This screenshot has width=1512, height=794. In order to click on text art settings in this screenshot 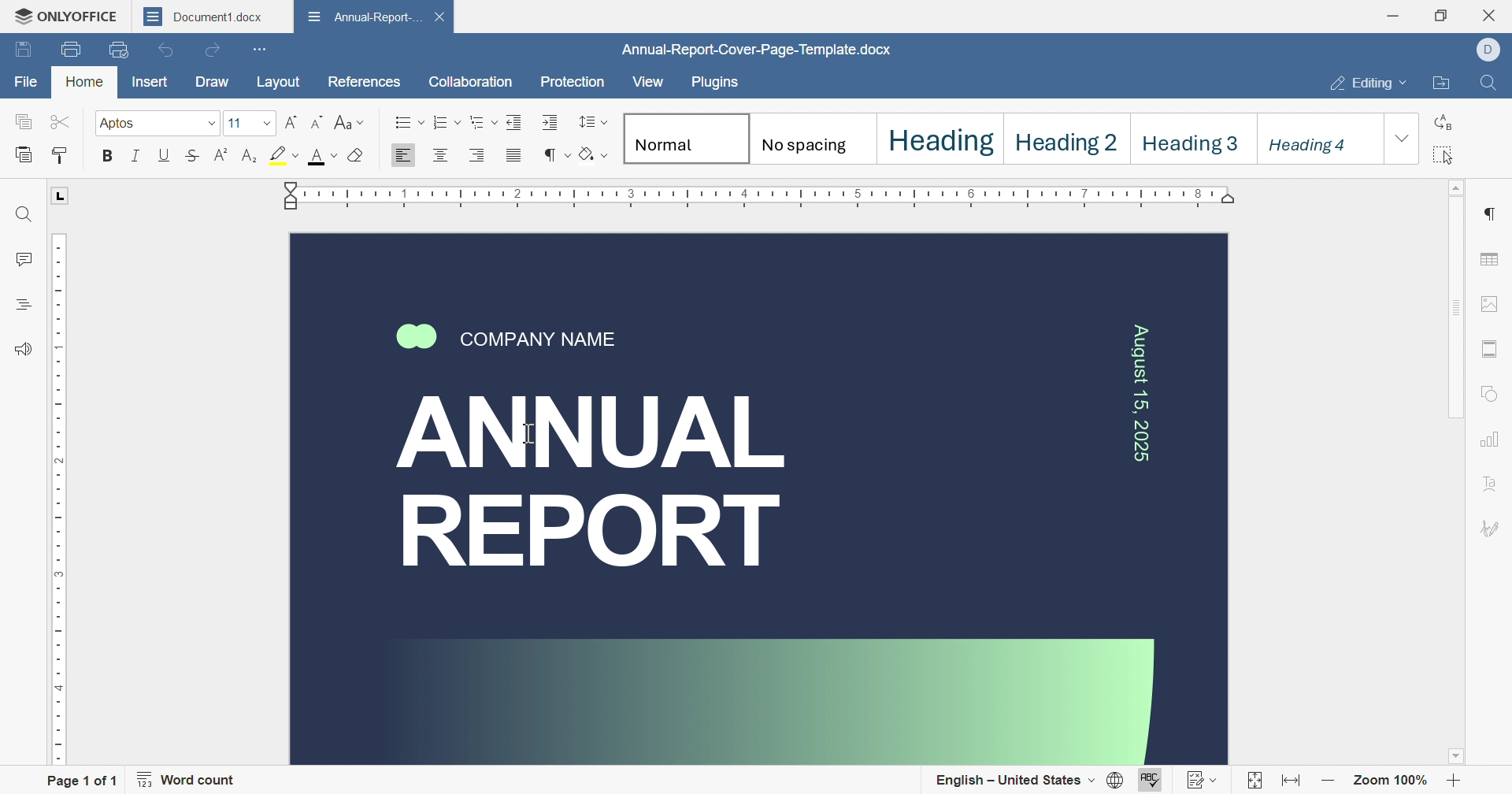, I will do `click(1492, 486)`.